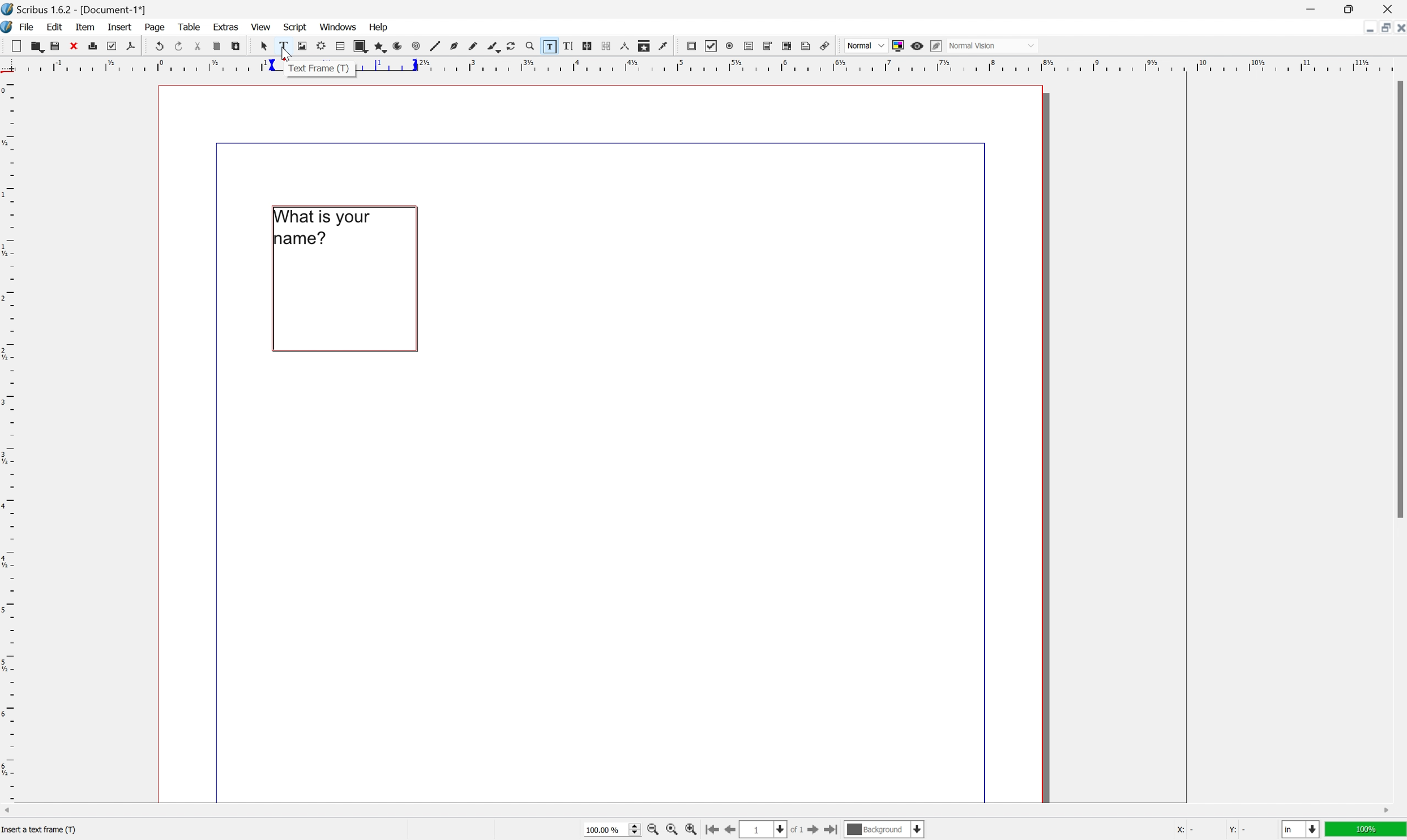 The width and height of the screenshot is (1407, 840). Describe the element at coordinates (227, 26) in the screenshot. I see `extras` at that location.